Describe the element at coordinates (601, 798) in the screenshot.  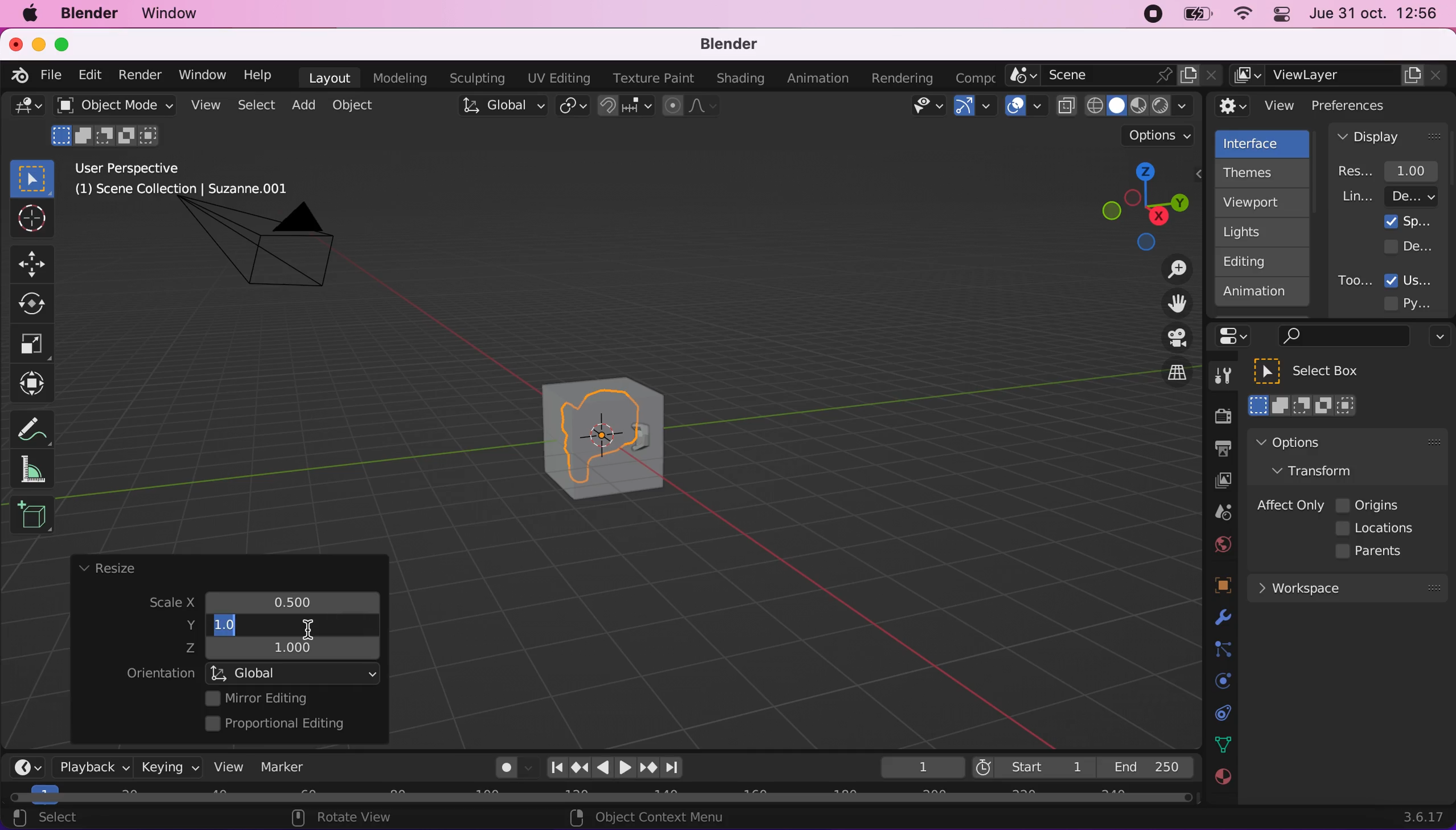
I see `horizontal scroll bar` at that location.